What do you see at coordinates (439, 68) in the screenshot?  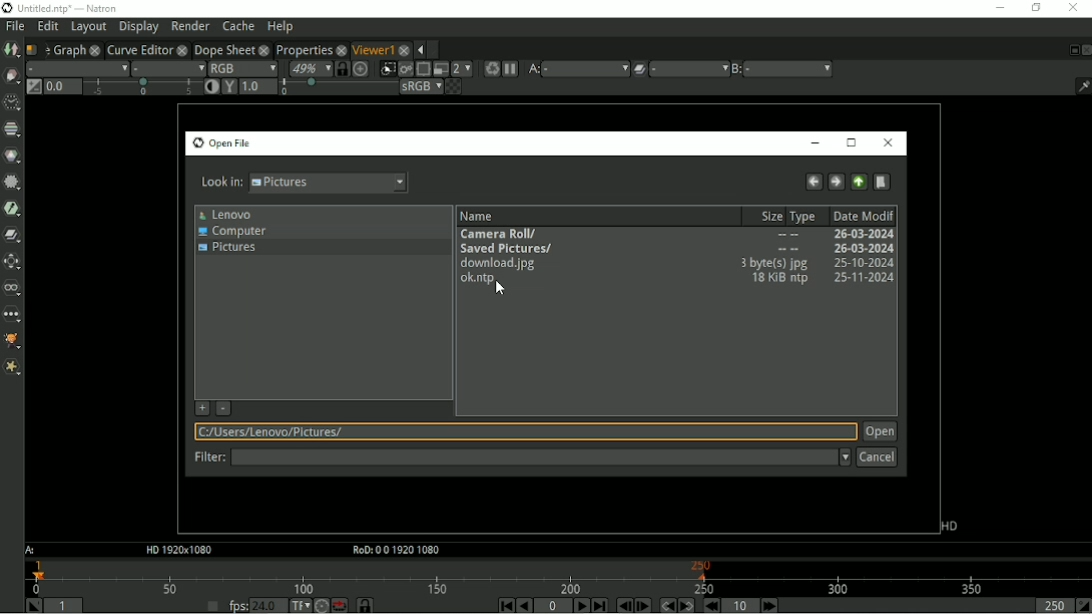 I see `Proxy mode` at bounding box center [439, 68].